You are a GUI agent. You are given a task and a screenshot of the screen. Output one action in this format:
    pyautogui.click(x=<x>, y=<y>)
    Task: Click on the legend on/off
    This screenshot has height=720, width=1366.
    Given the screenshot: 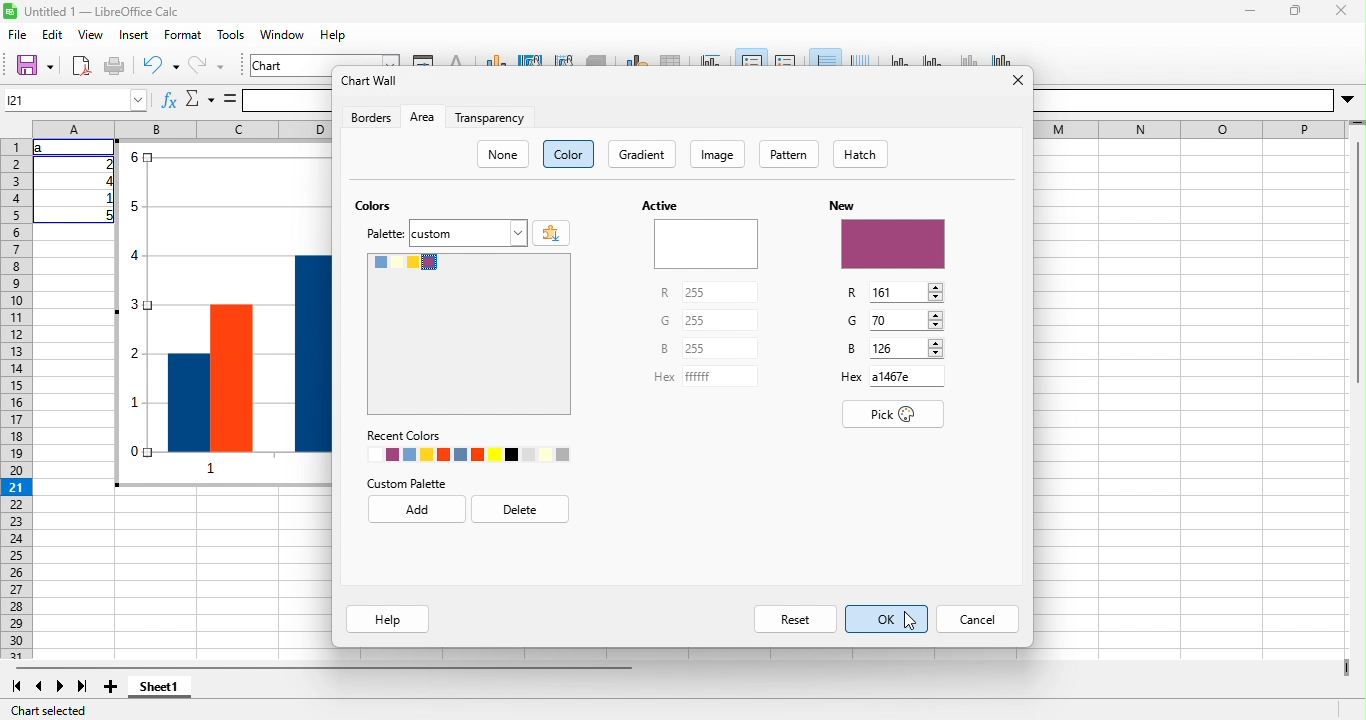 What is the action you would take?
    pyautogui.click(x=752, y=57)
    